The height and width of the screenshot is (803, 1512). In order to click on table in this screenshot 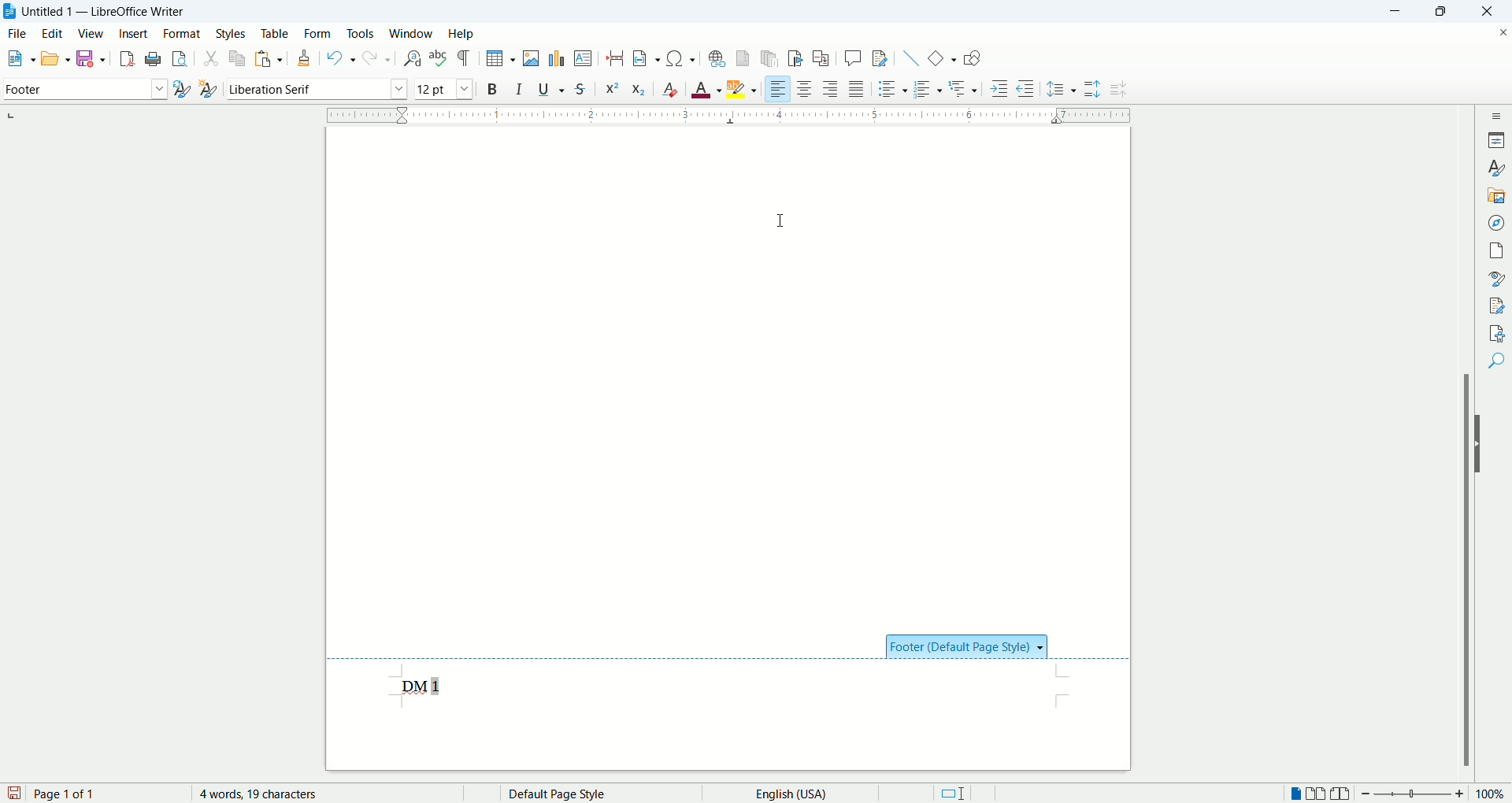, I will do `click(275, 31)`.